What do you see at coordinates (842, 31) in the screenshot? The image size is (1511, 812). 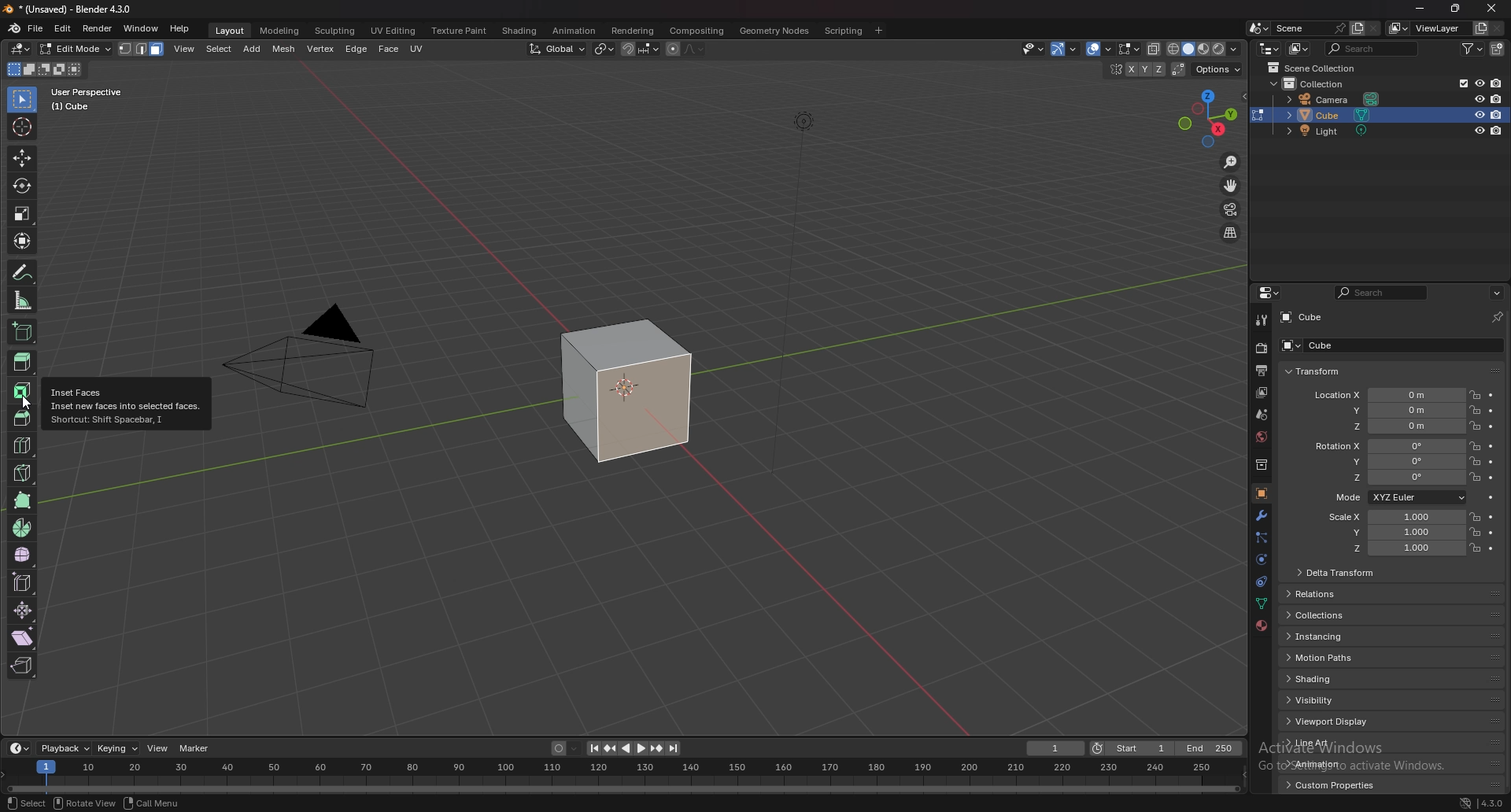 I see `scripting` at bounding box center [842, 31].